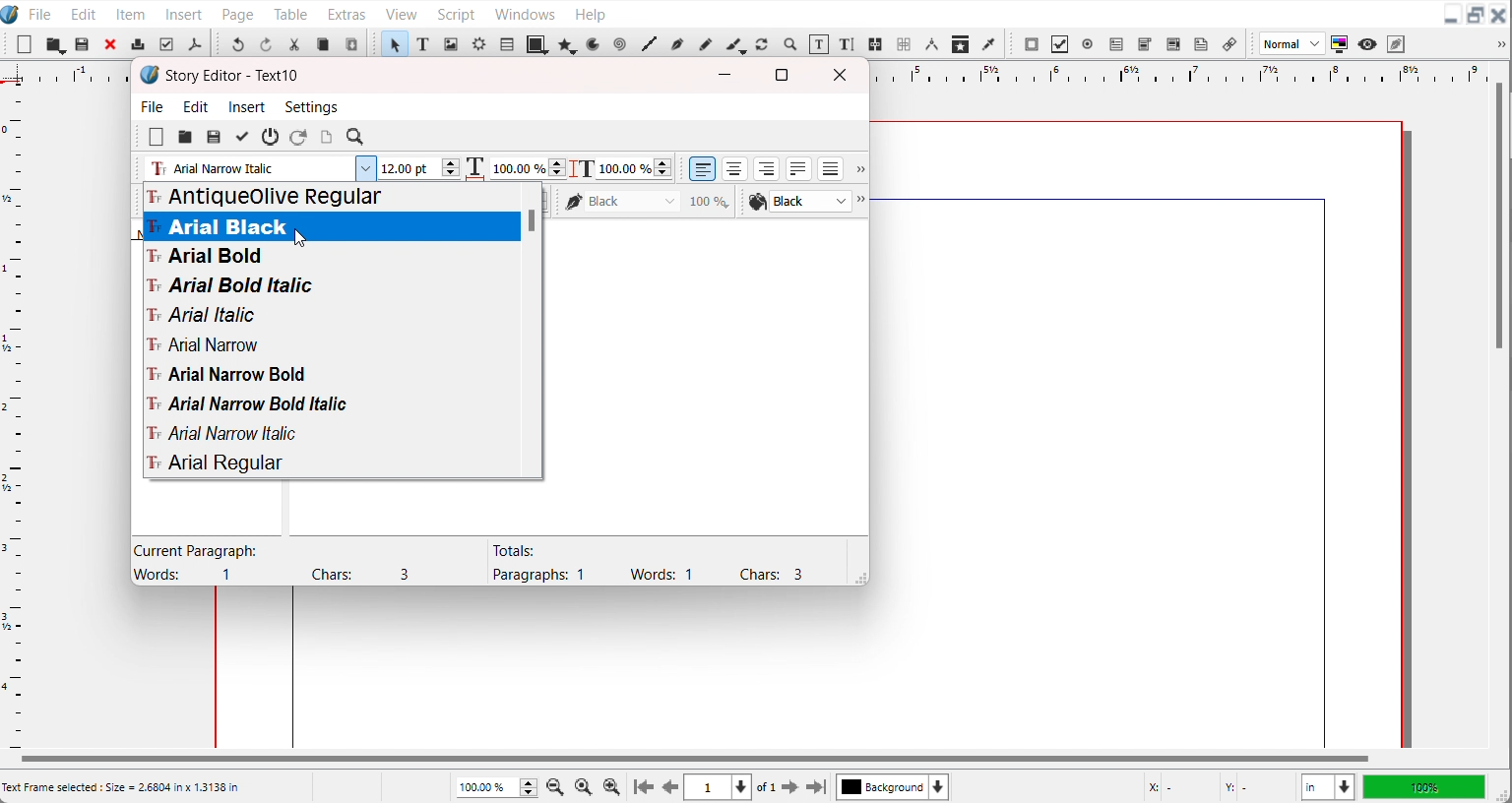  Describe the element at coordinates (1144, 44) in the screenshot. I see `PDF Combo button` at that location.